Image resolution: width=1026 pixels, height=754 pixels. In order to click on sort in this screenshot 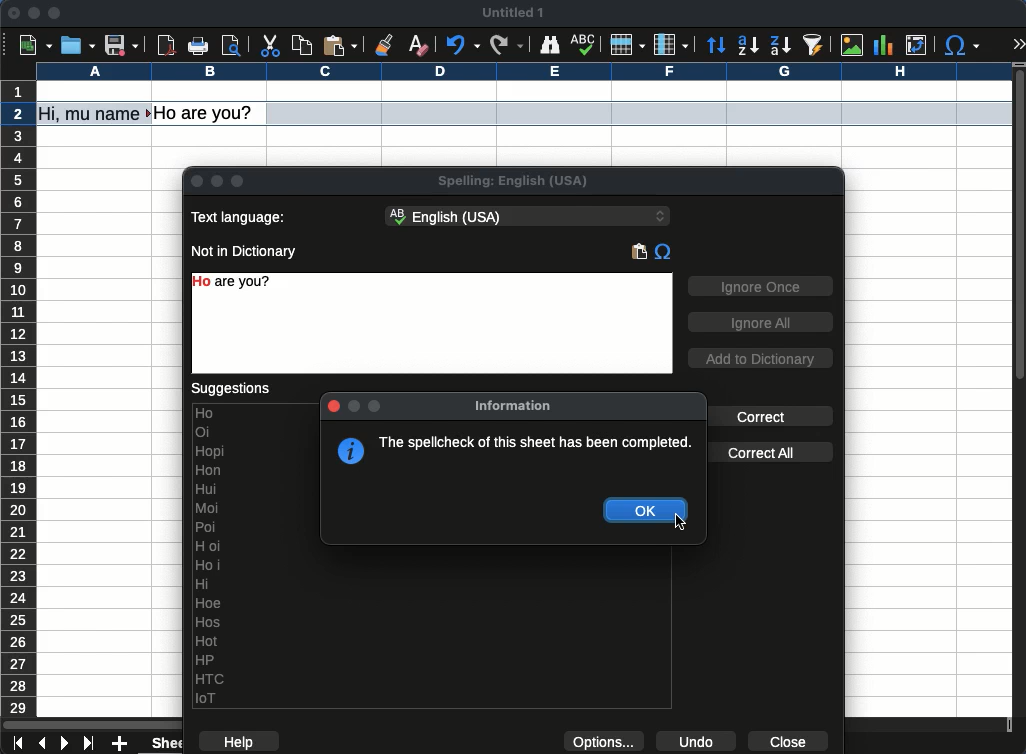, I will do `click(716, 46)`.